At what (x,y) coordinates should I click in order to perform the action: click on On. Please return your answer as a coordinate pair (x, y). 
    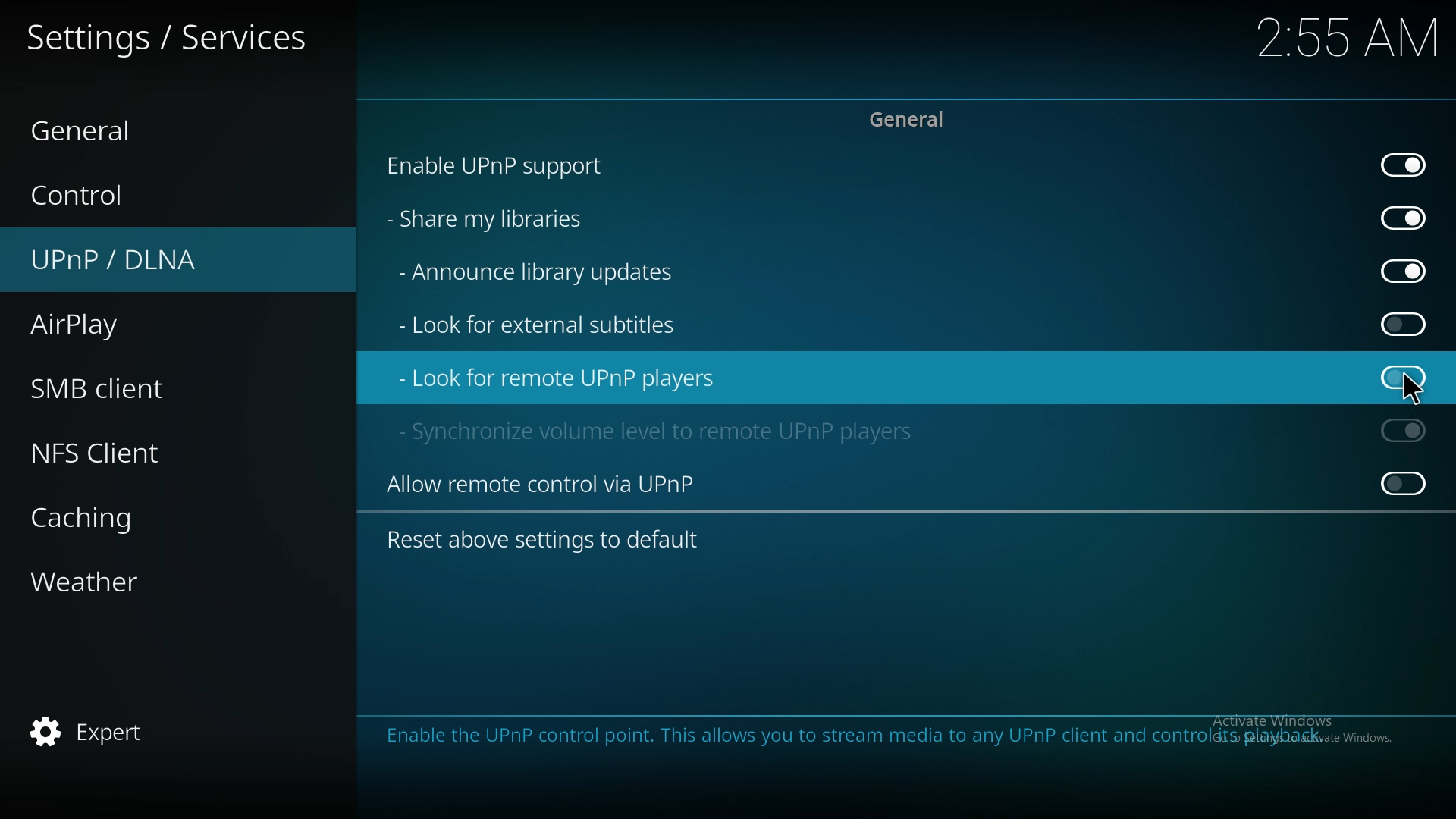
    Looking at the image, I should click on (1407, 166).